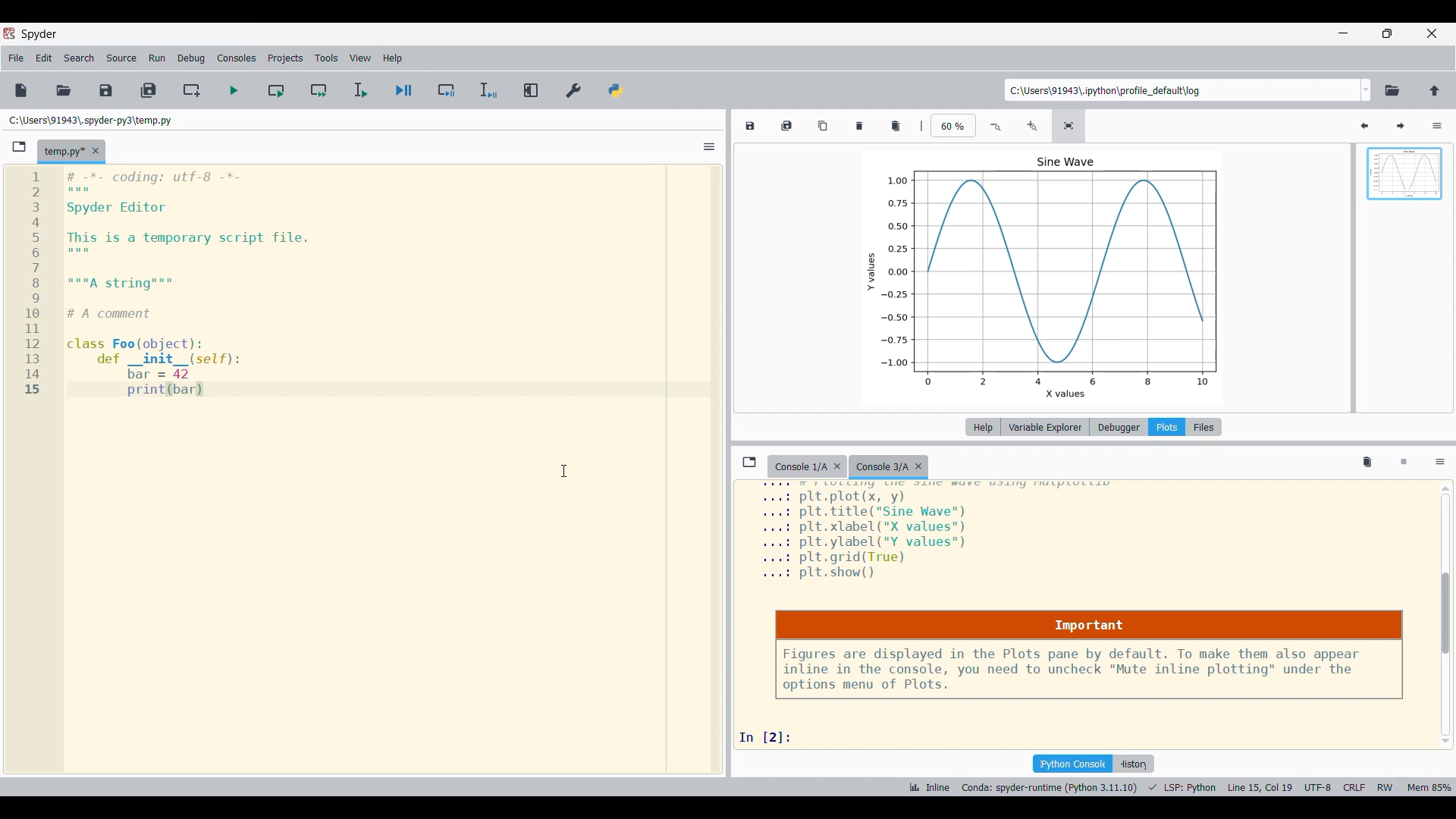 This screenshot has height=819, width=1456. Describe the element at coordinates (574, 90) in the screenshot. I see `Preferences` at that location.